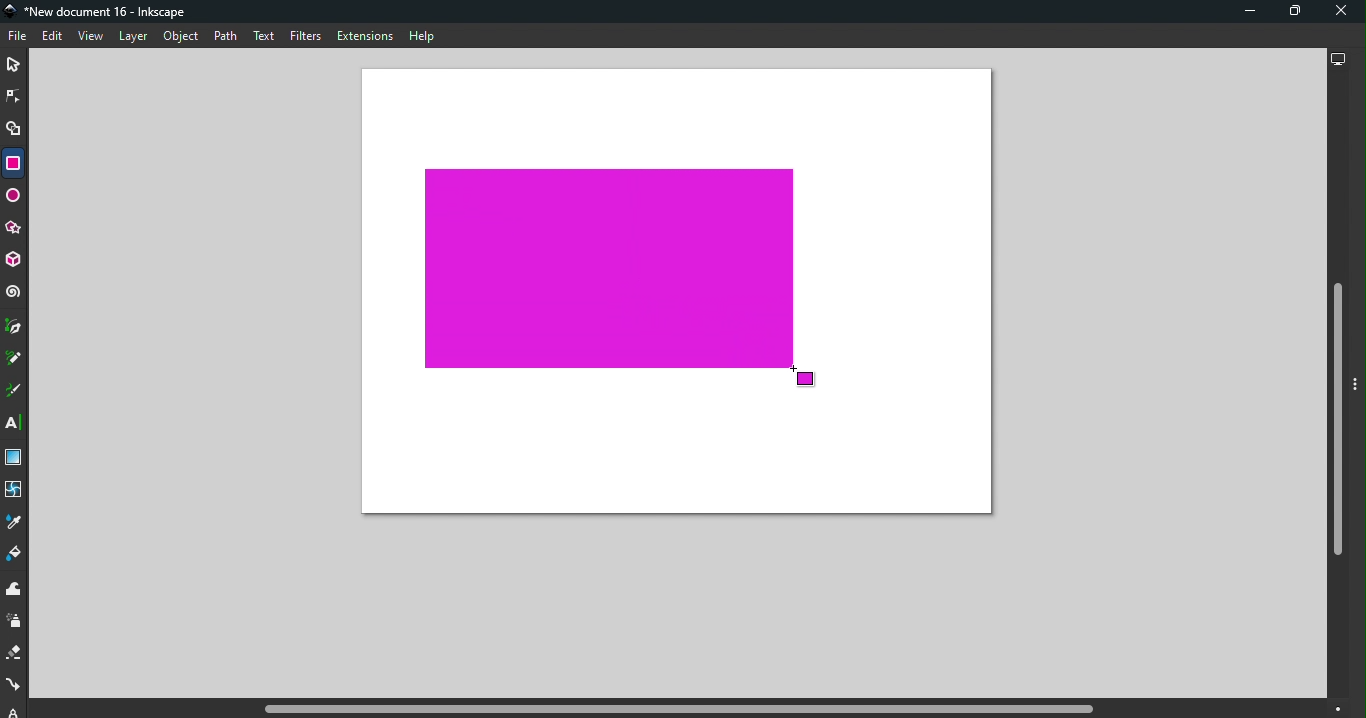 The height and width of the screenshot is (718, 1366). Describe the element at coordinates (14, 292) in the screenshot. I see `Spiral tool` at that location.